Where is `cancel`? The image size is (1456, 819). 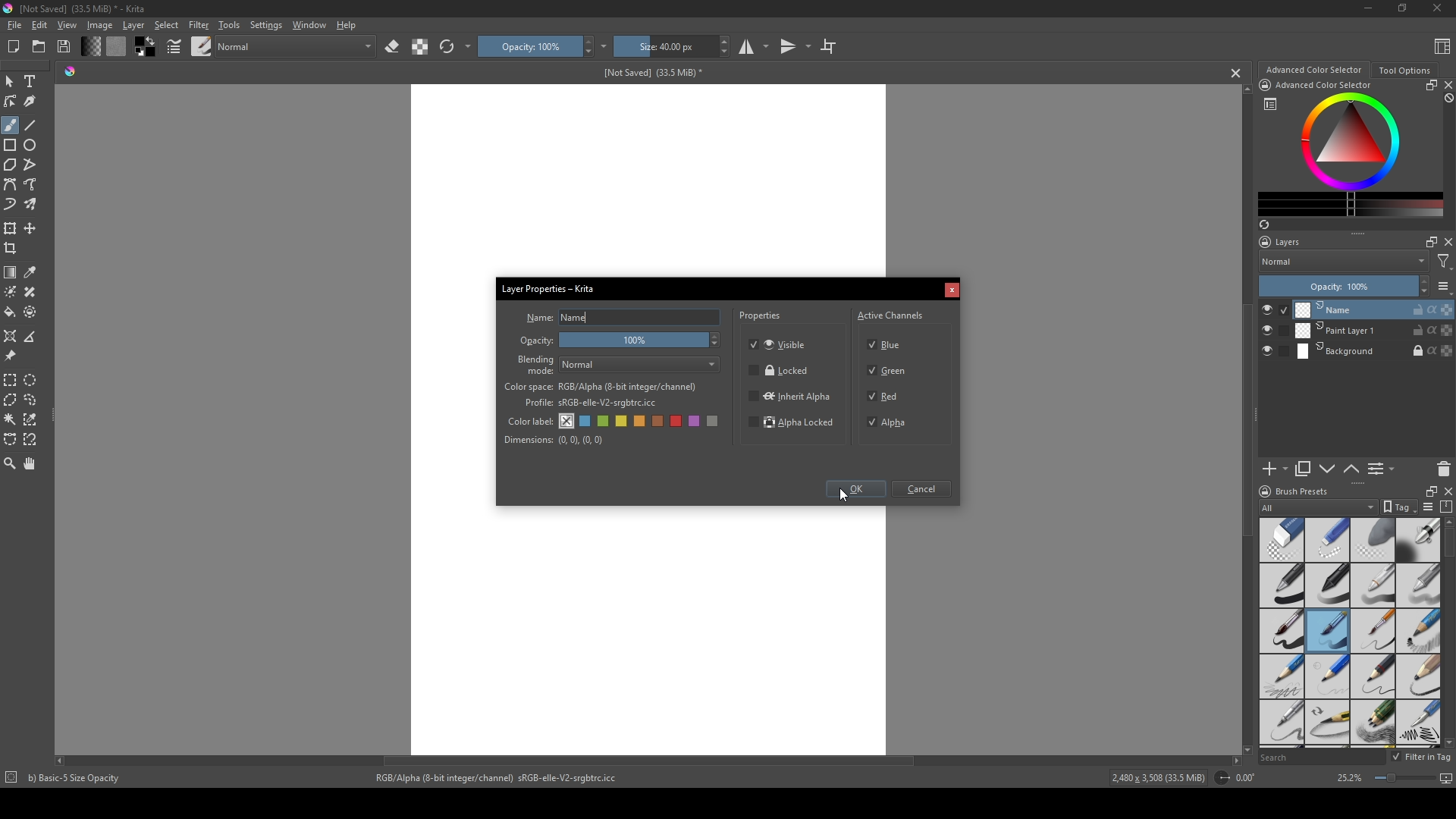
cancel is located at coordinates (1237, 73).